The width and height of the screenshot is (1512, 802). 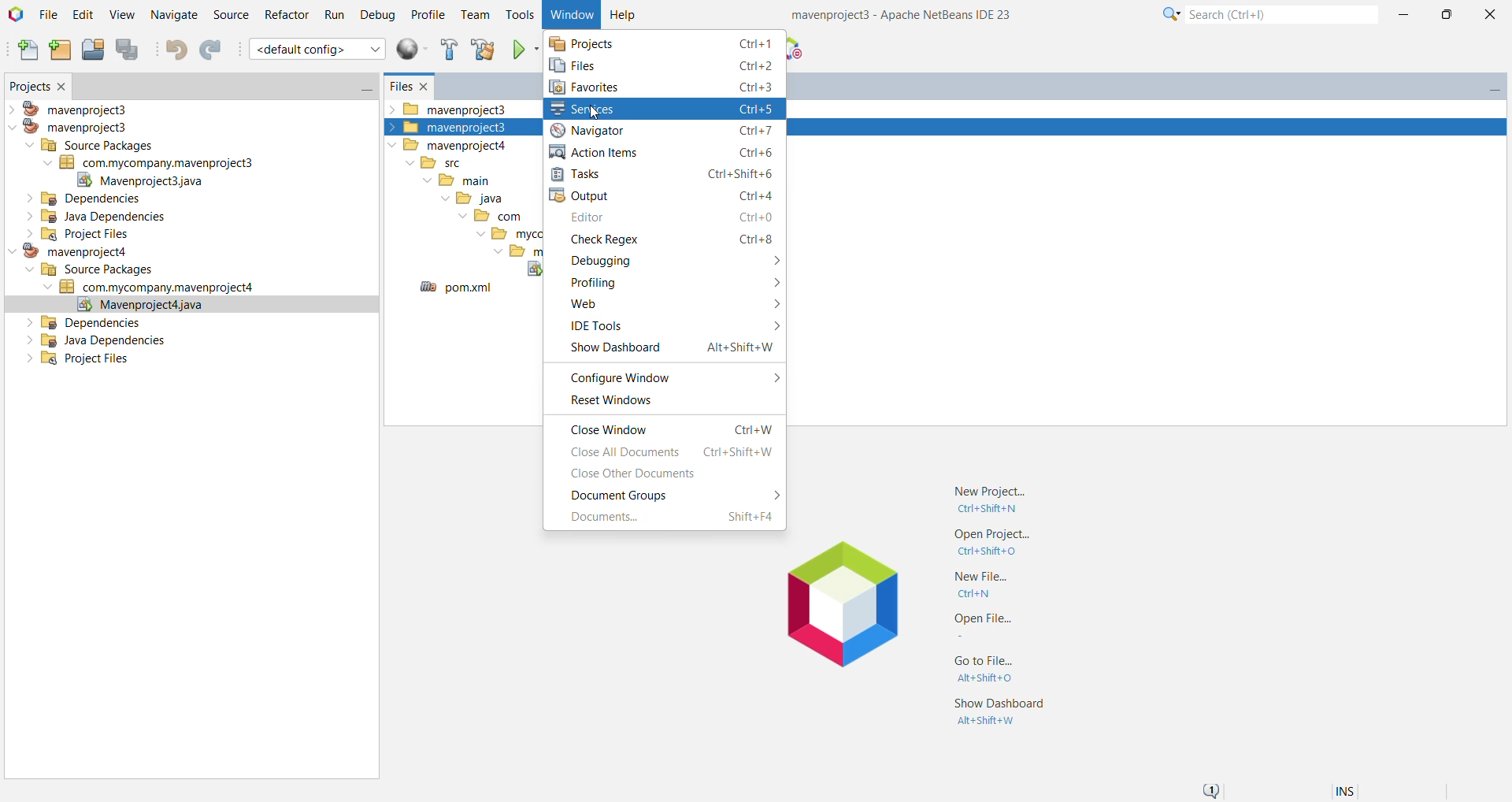 I want to click on Undo, so click(x=176, y=48).